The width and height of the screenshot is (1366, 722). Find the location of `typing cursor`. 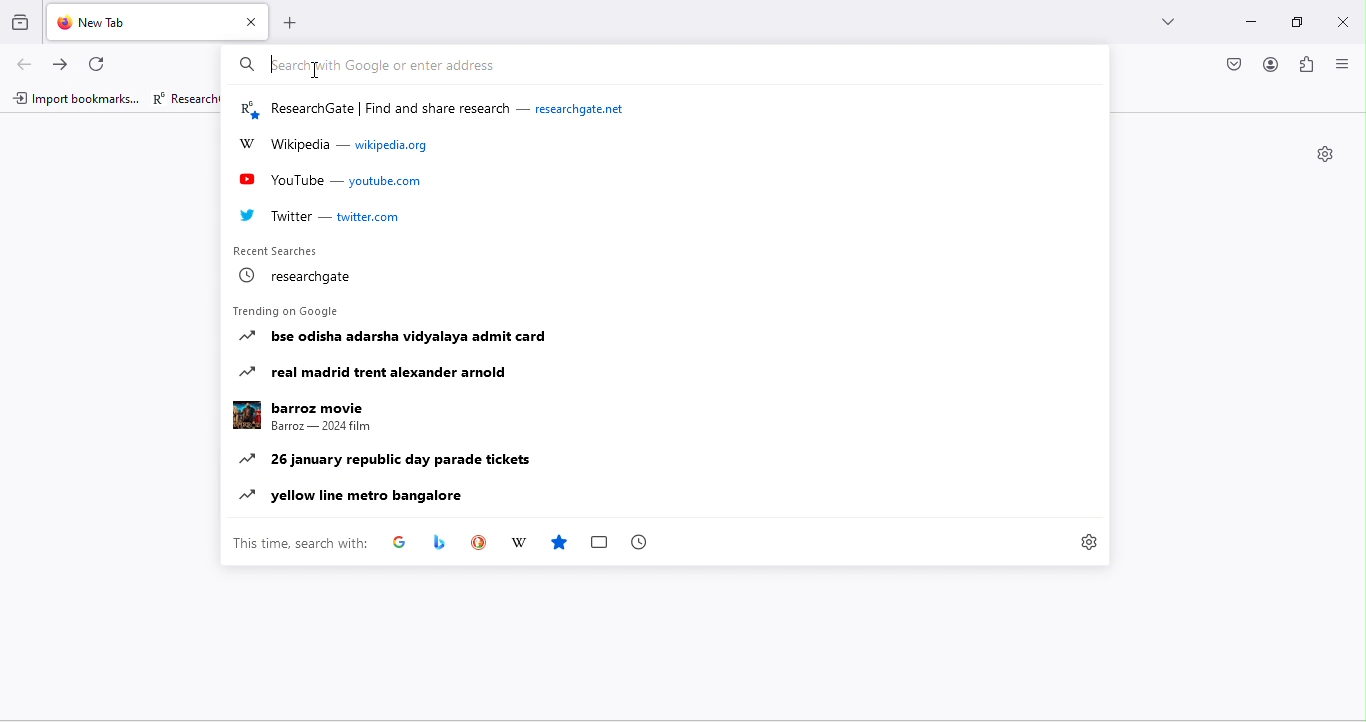

typing cursor is located at coordinates (318, 69).